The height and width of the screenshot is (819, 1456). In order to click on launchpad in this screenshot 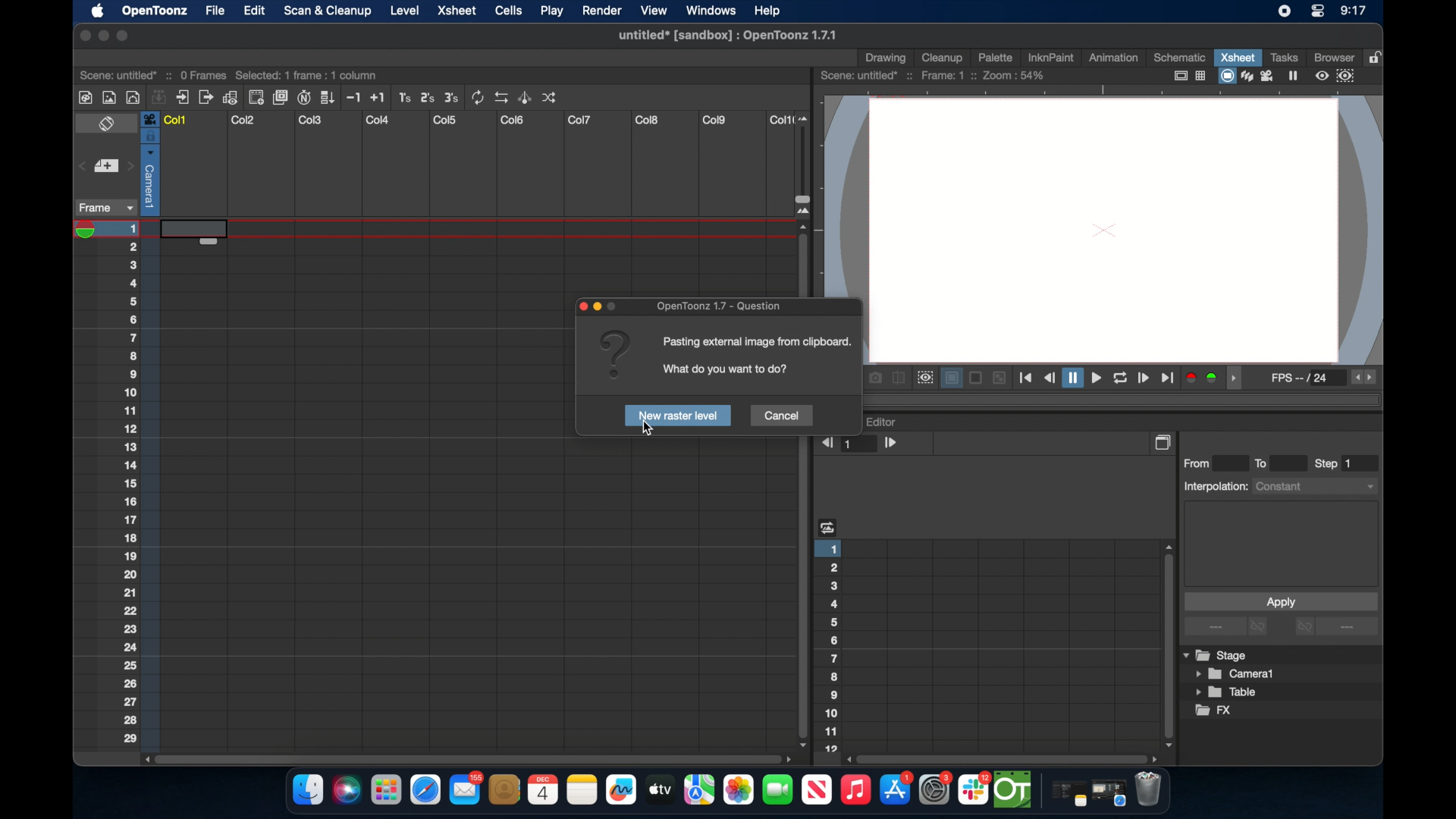, I will do `click(385, 792)`.